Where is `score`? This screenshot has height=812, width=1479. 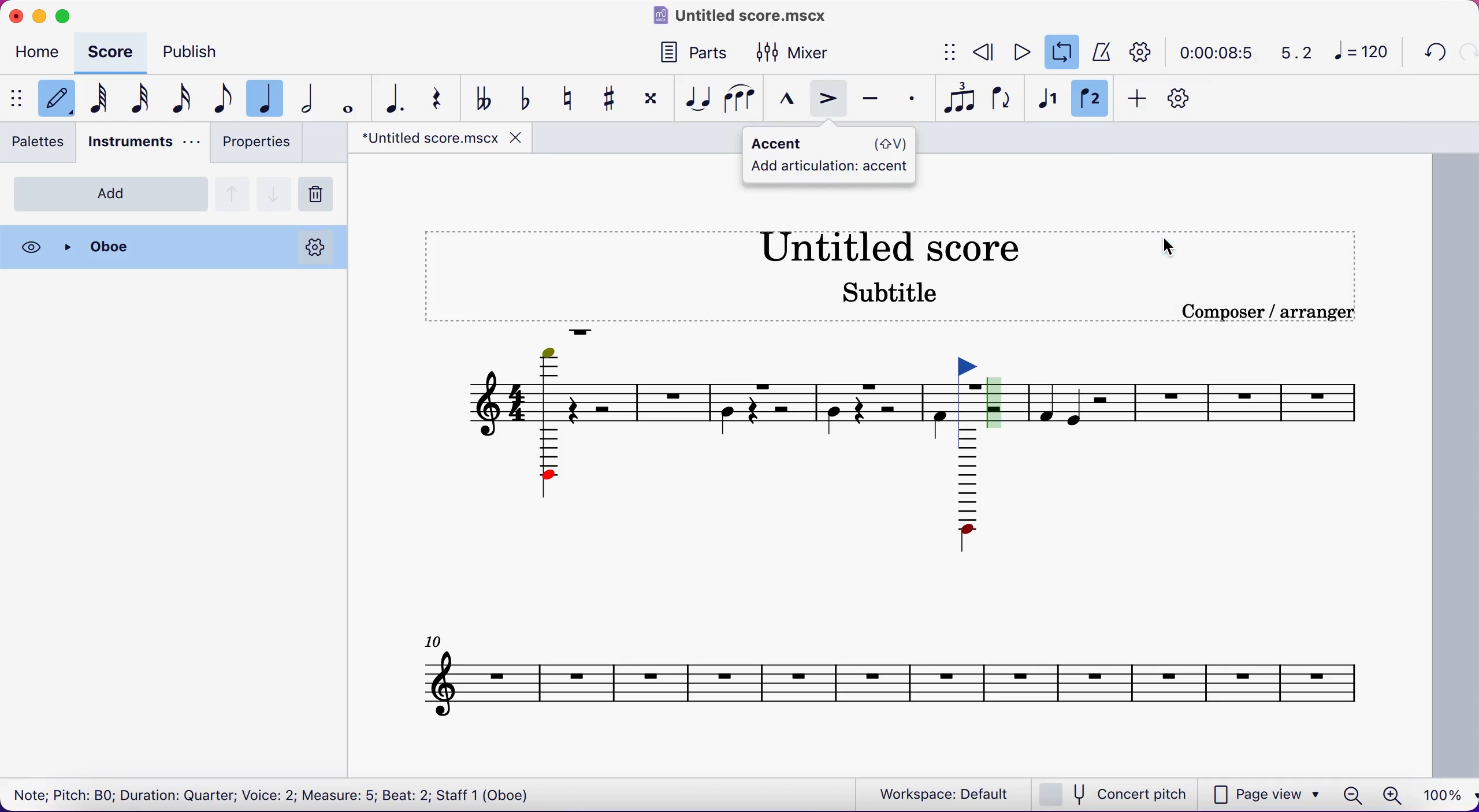
score is located at coordinates (114, 52).